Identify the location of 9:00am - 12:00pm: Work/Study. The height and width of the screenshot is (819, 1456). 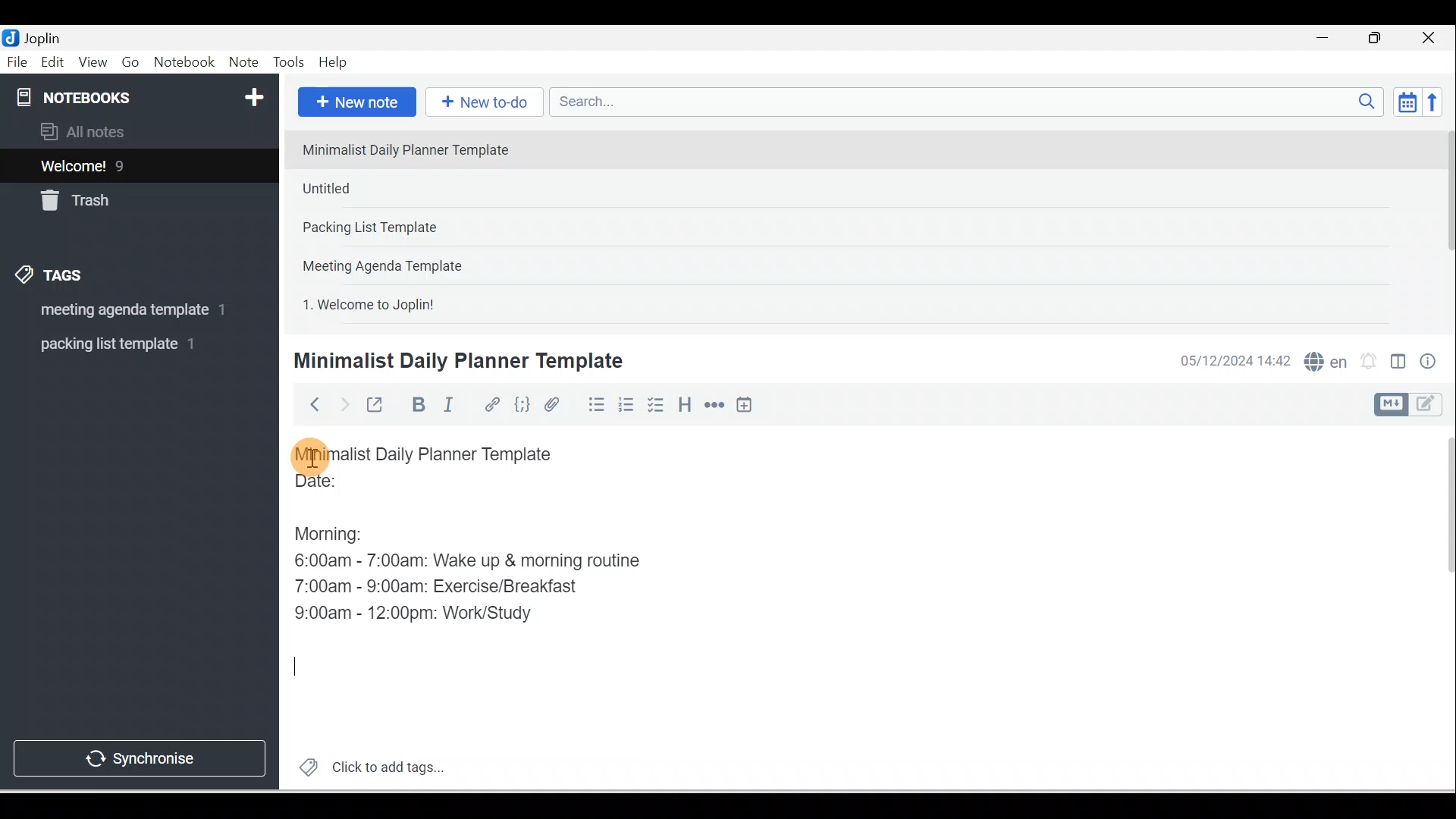
(419, 613).